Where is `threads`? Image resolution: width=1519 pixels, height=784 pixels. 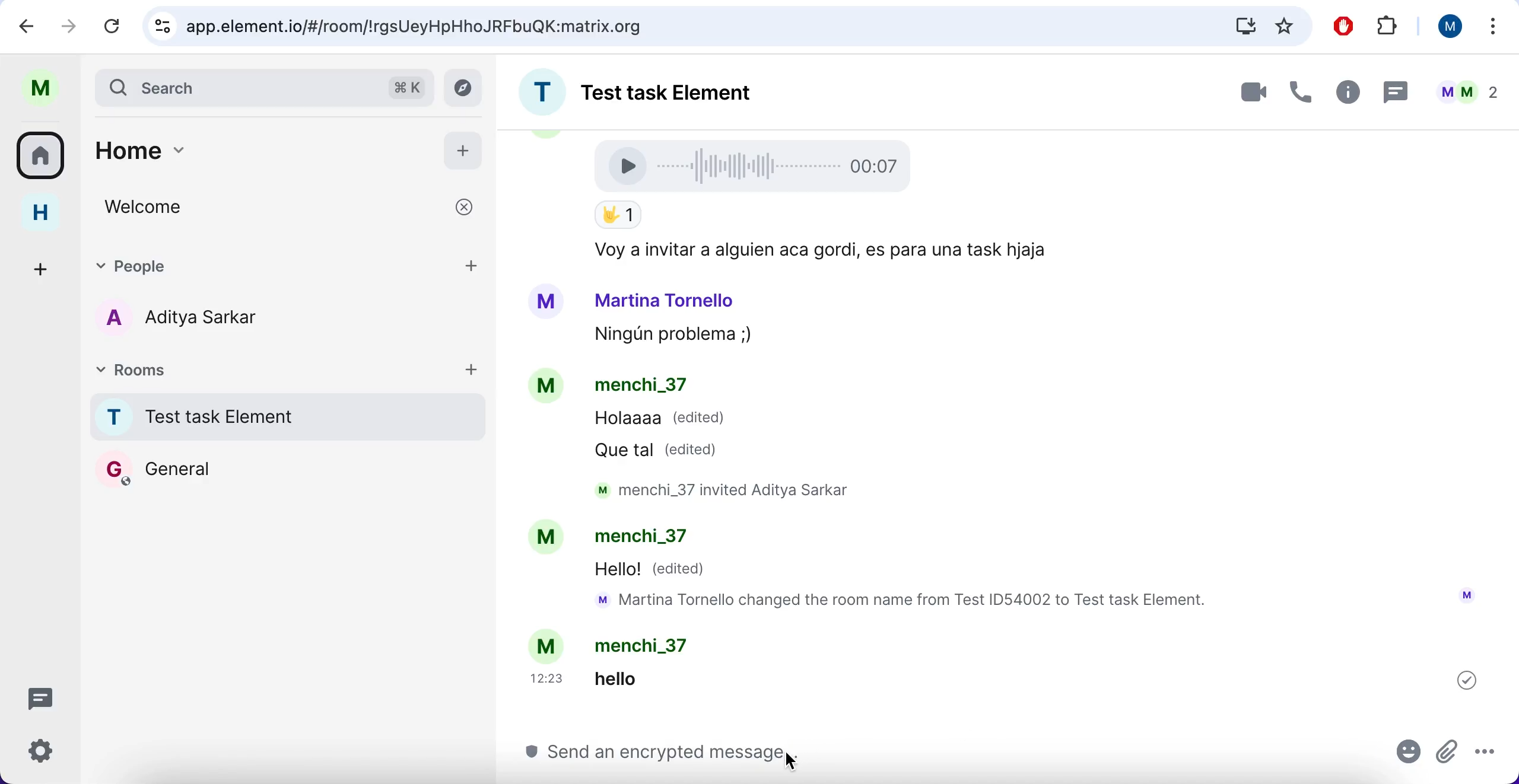 threads is located at coordinates (47, 697).